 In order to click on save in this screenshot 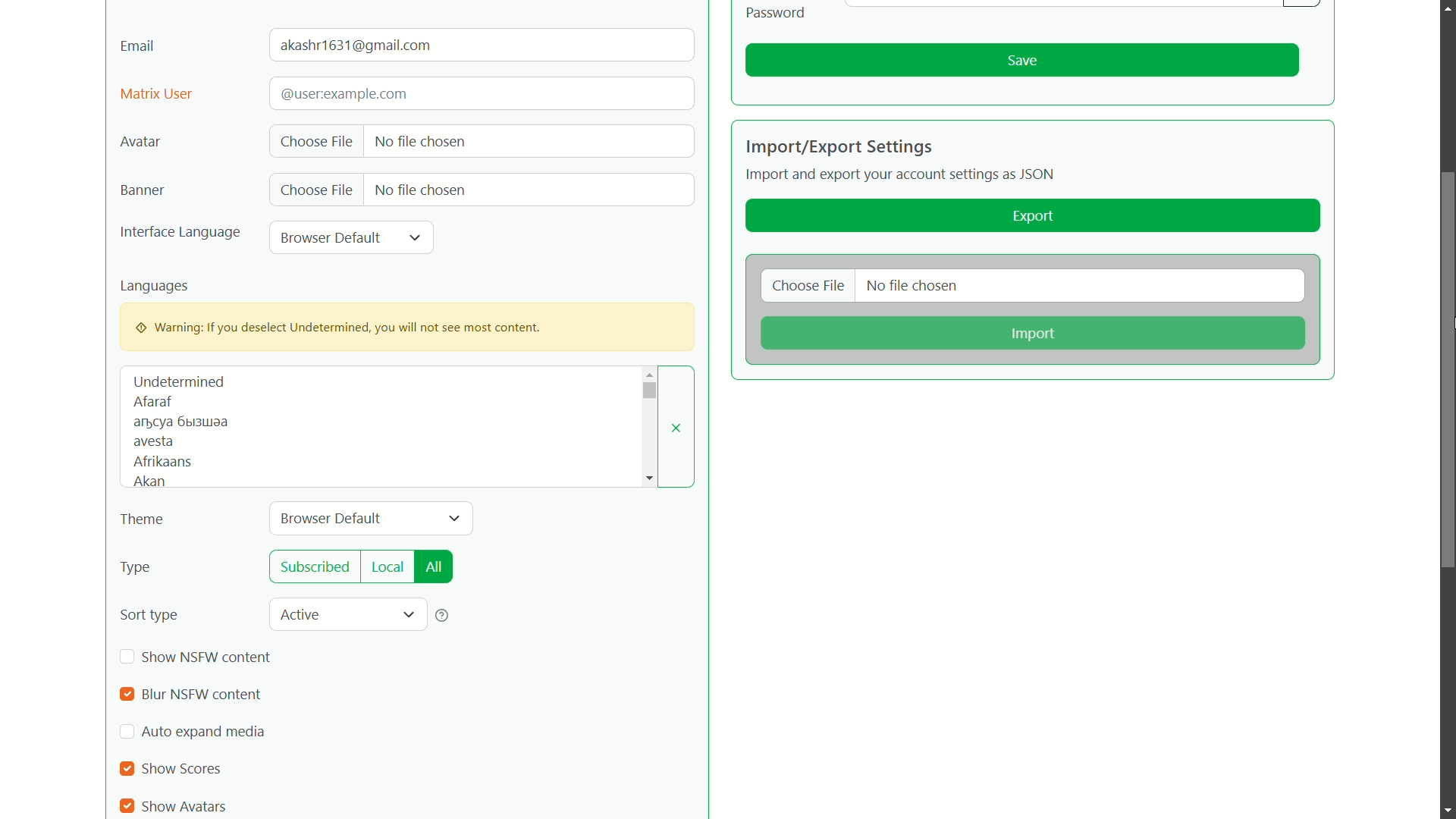, I will do `click(1022, 61)`.